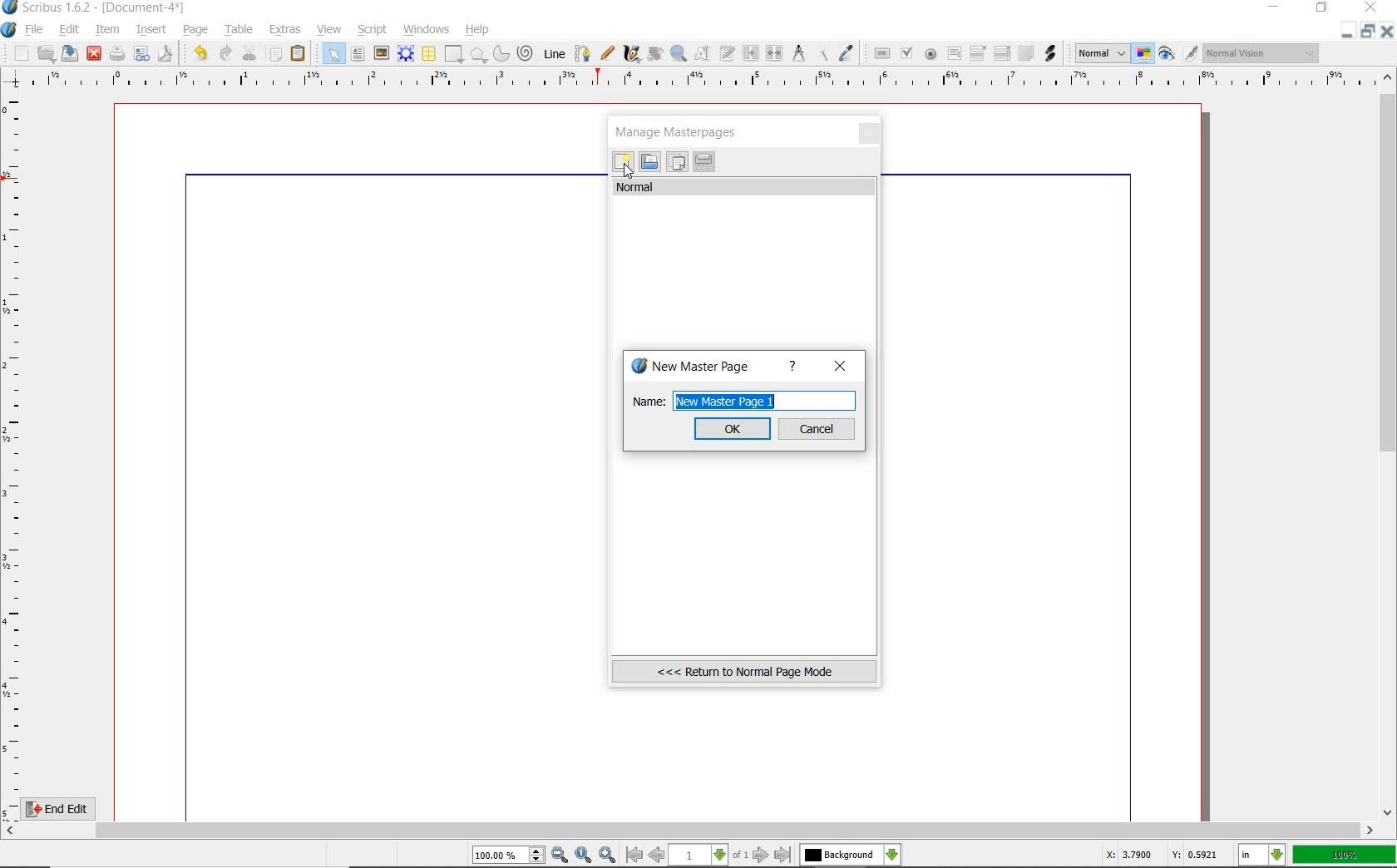 This screenshot has width=1397, height=868. Describe the element at coordinates (699, 81) in the screenshot. I see `ruler` at that location.